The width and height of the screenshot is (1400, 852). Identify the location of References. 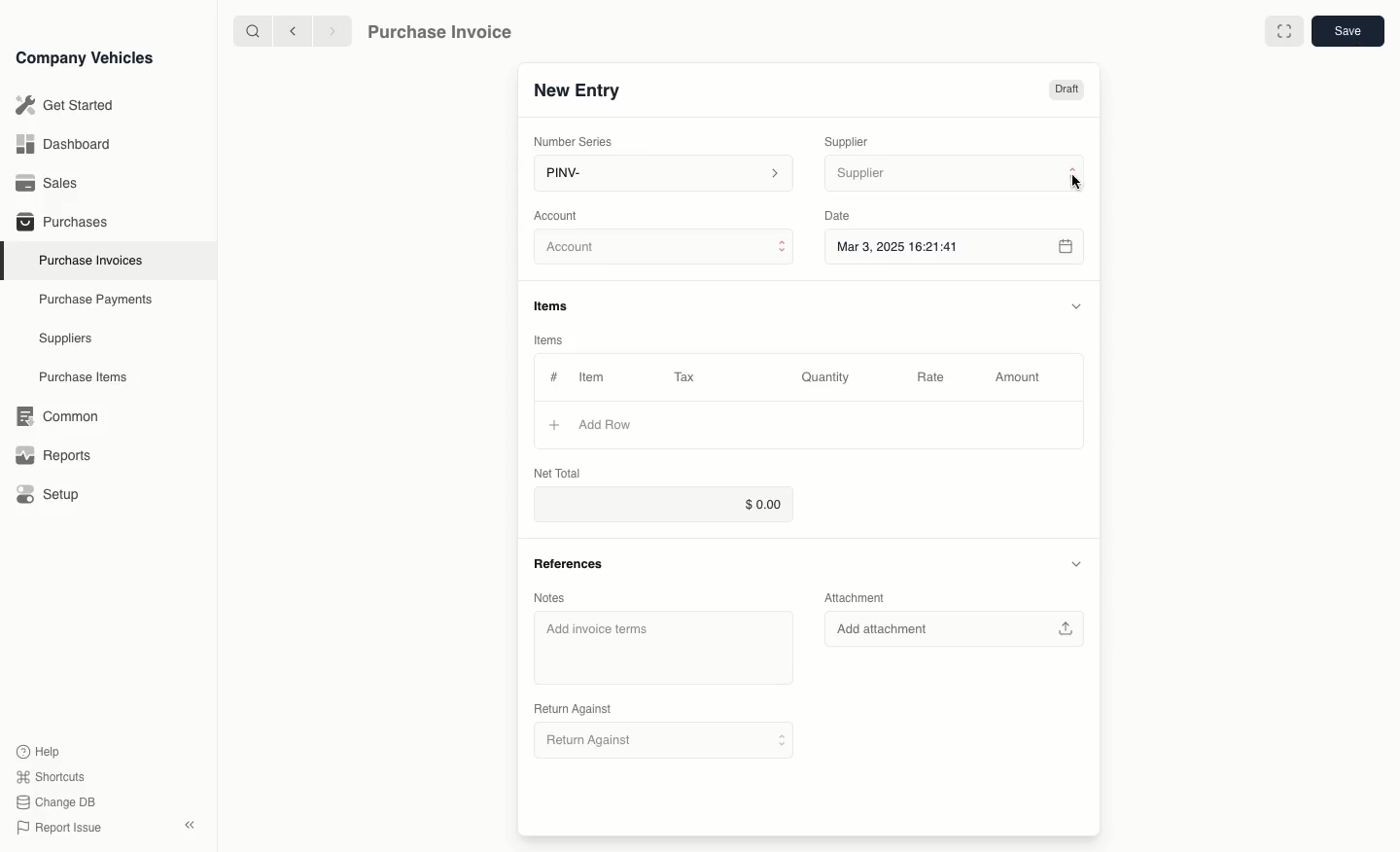
(568, 566).